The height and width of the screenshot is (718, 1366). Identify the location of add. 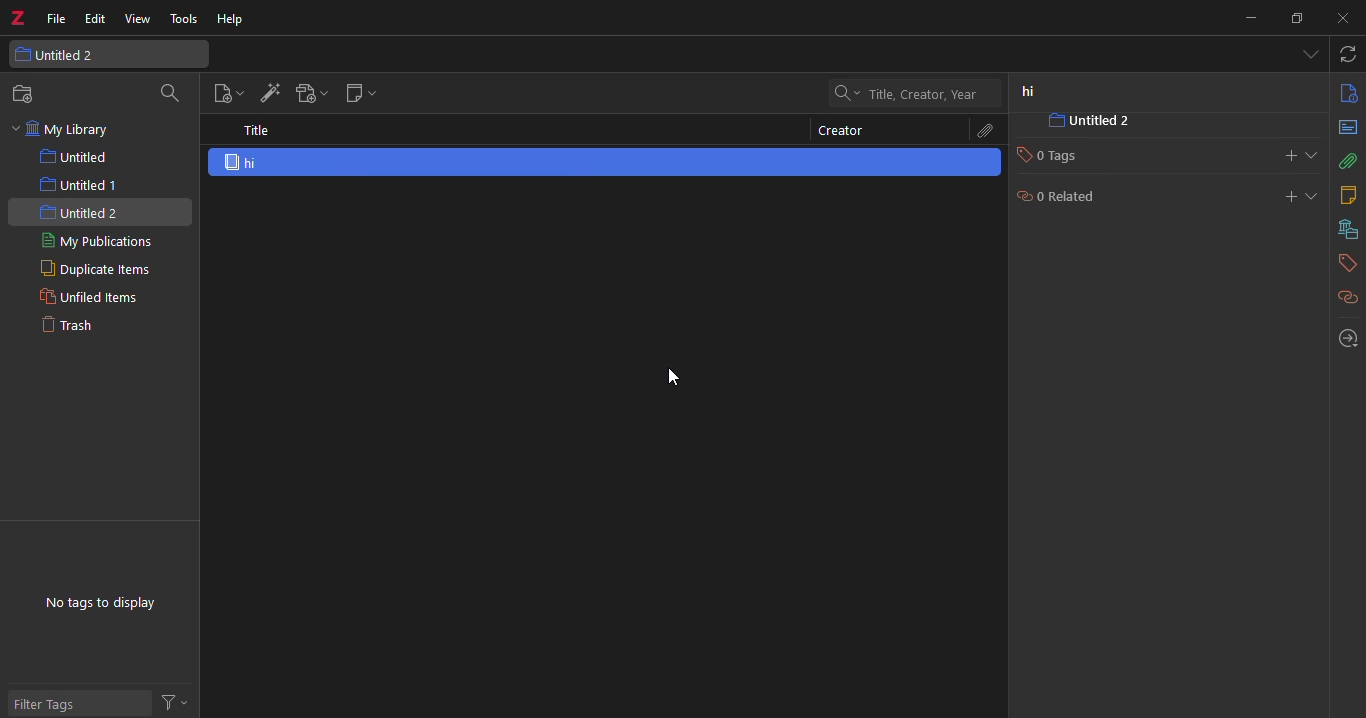
(1276, 153).